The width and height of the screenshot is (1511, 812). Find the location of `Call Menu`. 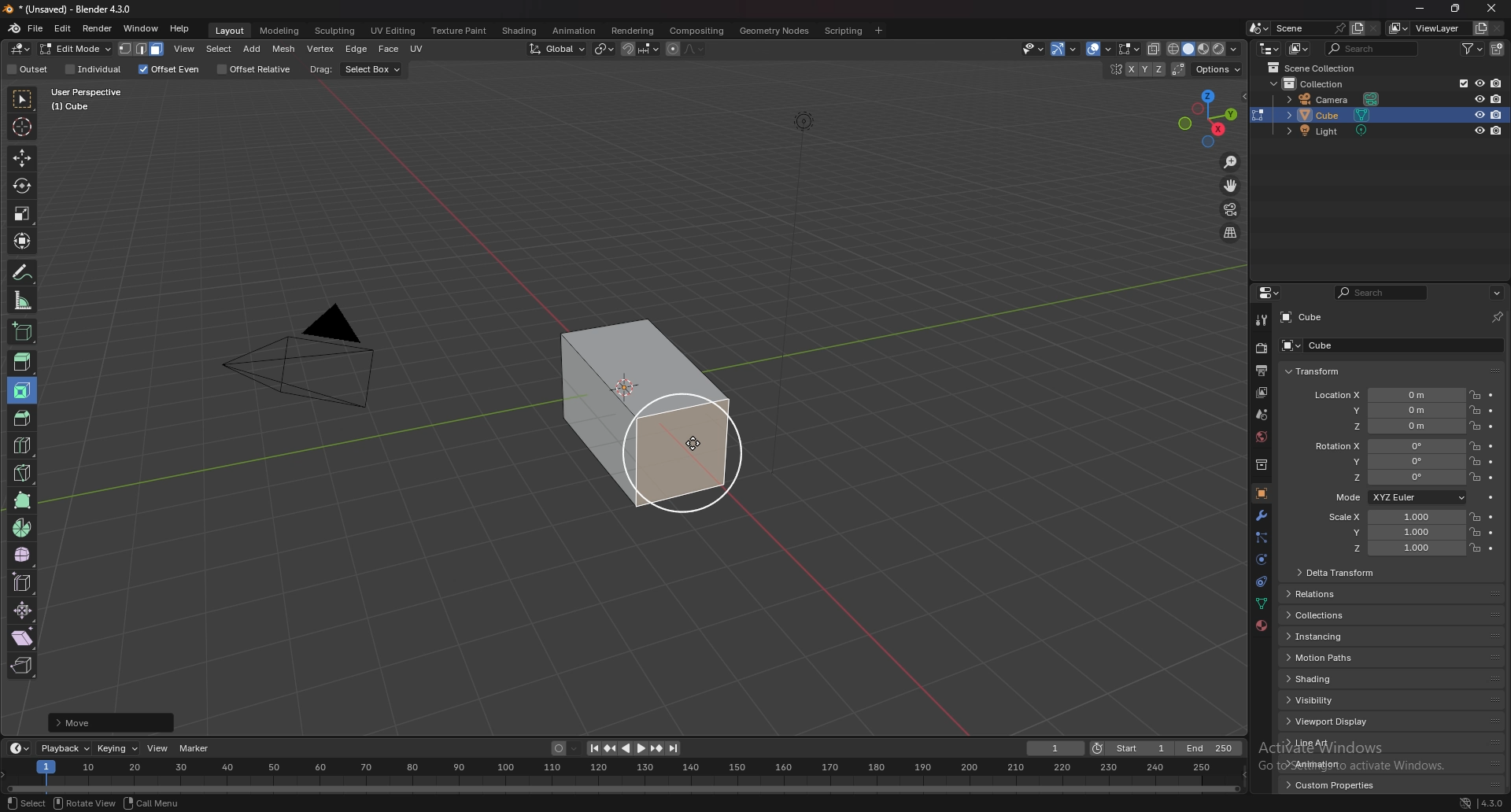

Call Menu is located at coordinates (150, 803).